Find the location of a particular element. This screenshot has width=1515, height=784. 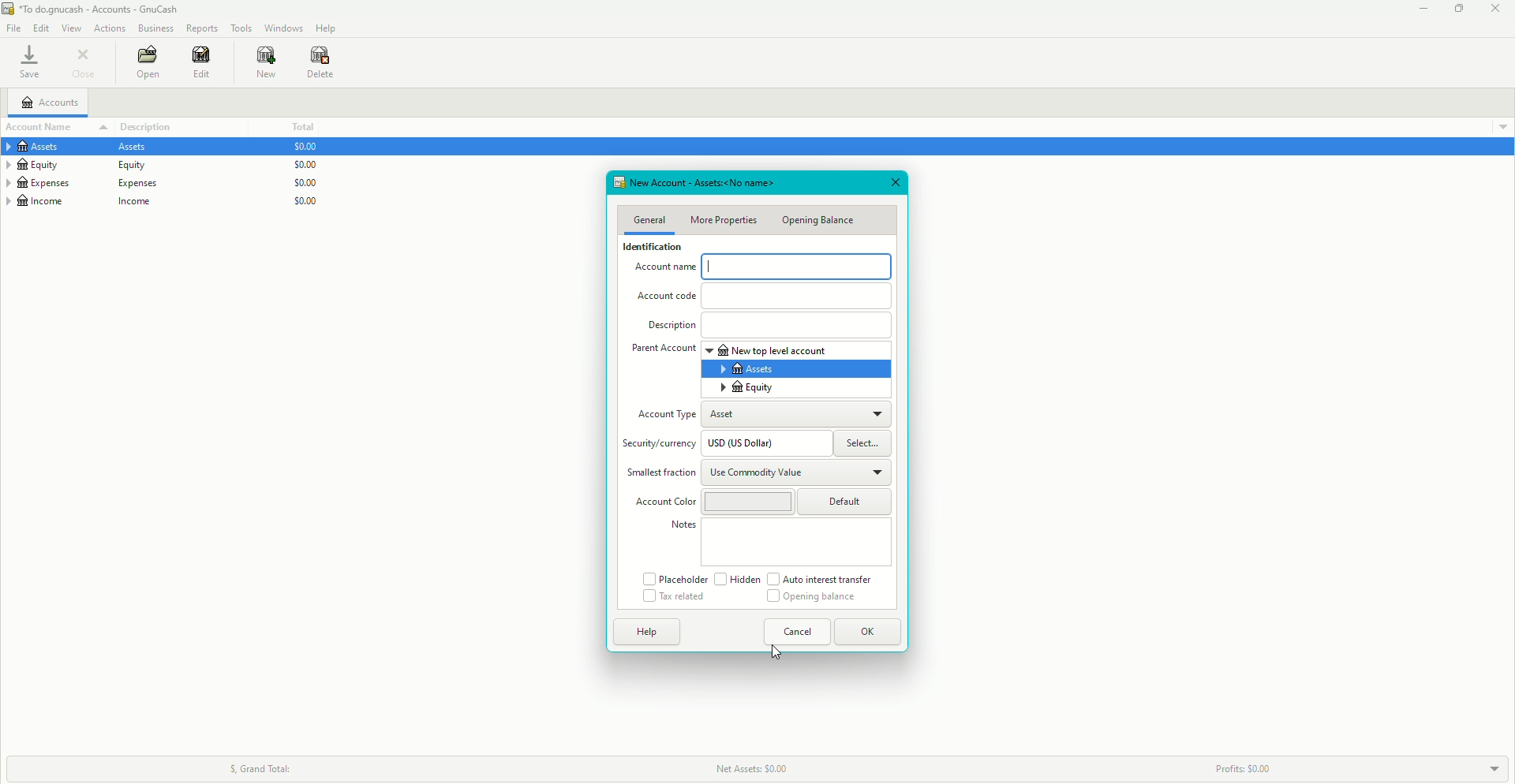

Profits is located at coordinates (1240, 768).